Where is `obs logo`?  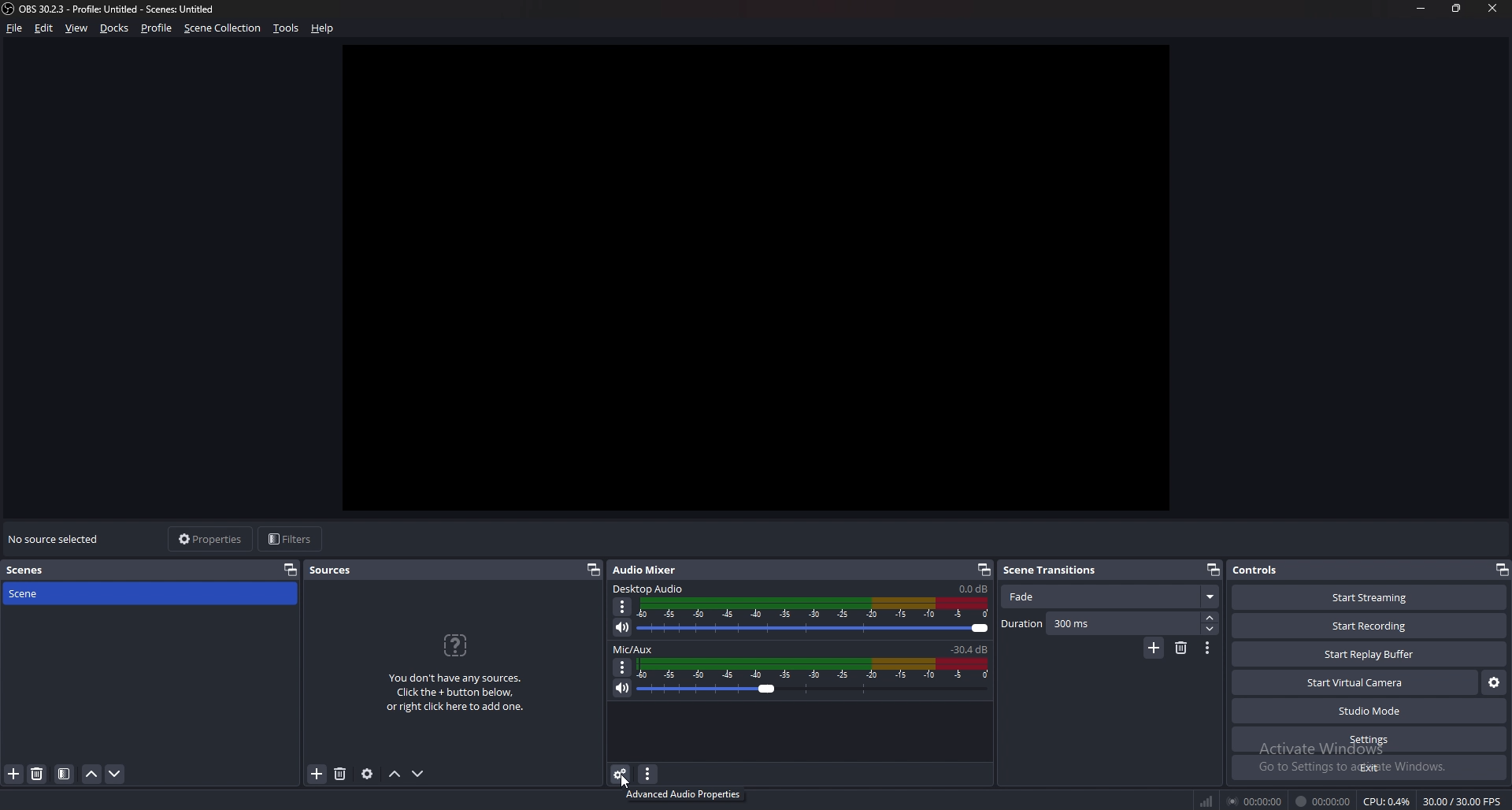 obs logo is located at coordinates (9, 8).